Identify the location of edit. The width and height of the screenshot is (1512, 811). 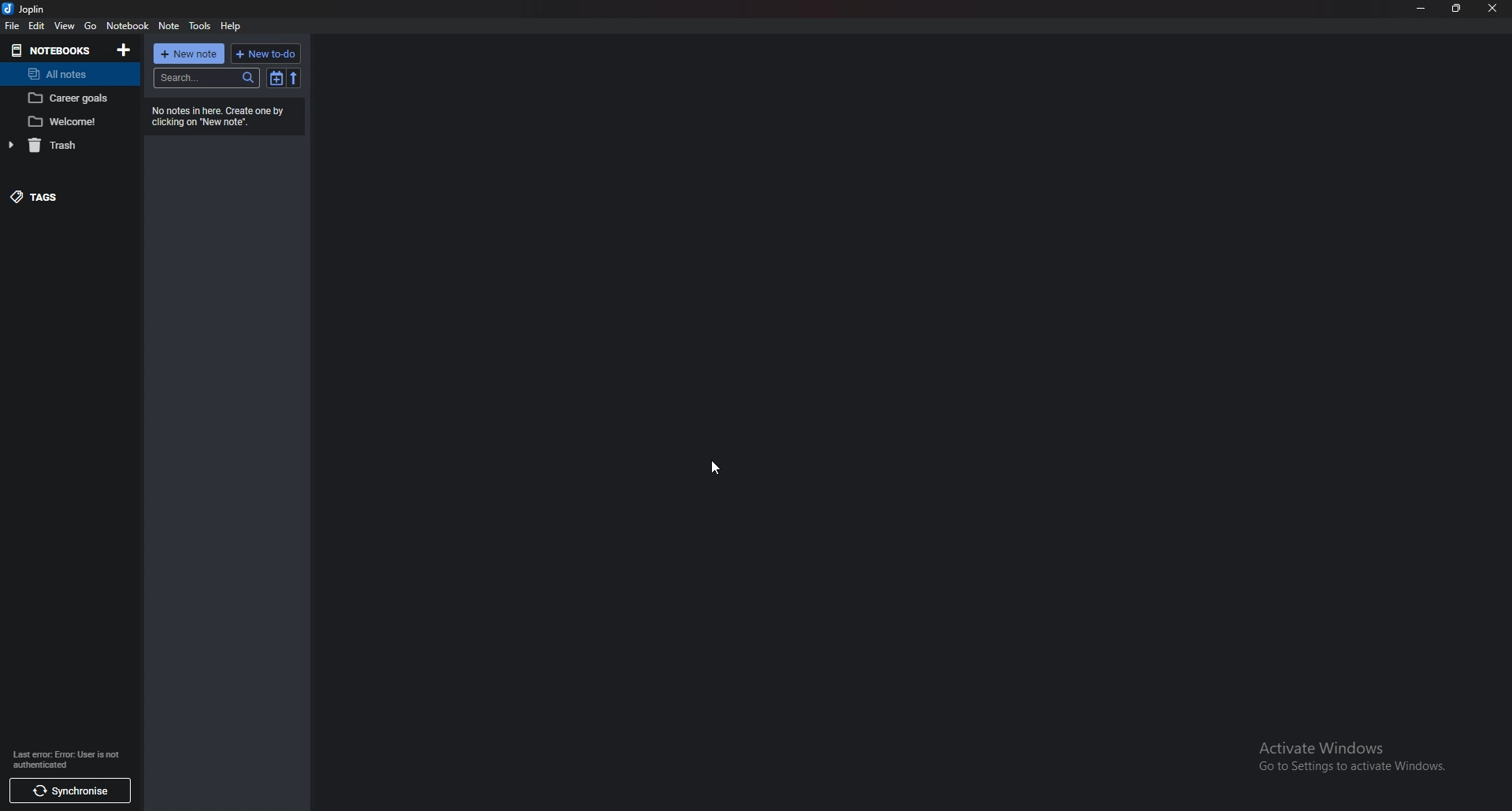
(37, 25).